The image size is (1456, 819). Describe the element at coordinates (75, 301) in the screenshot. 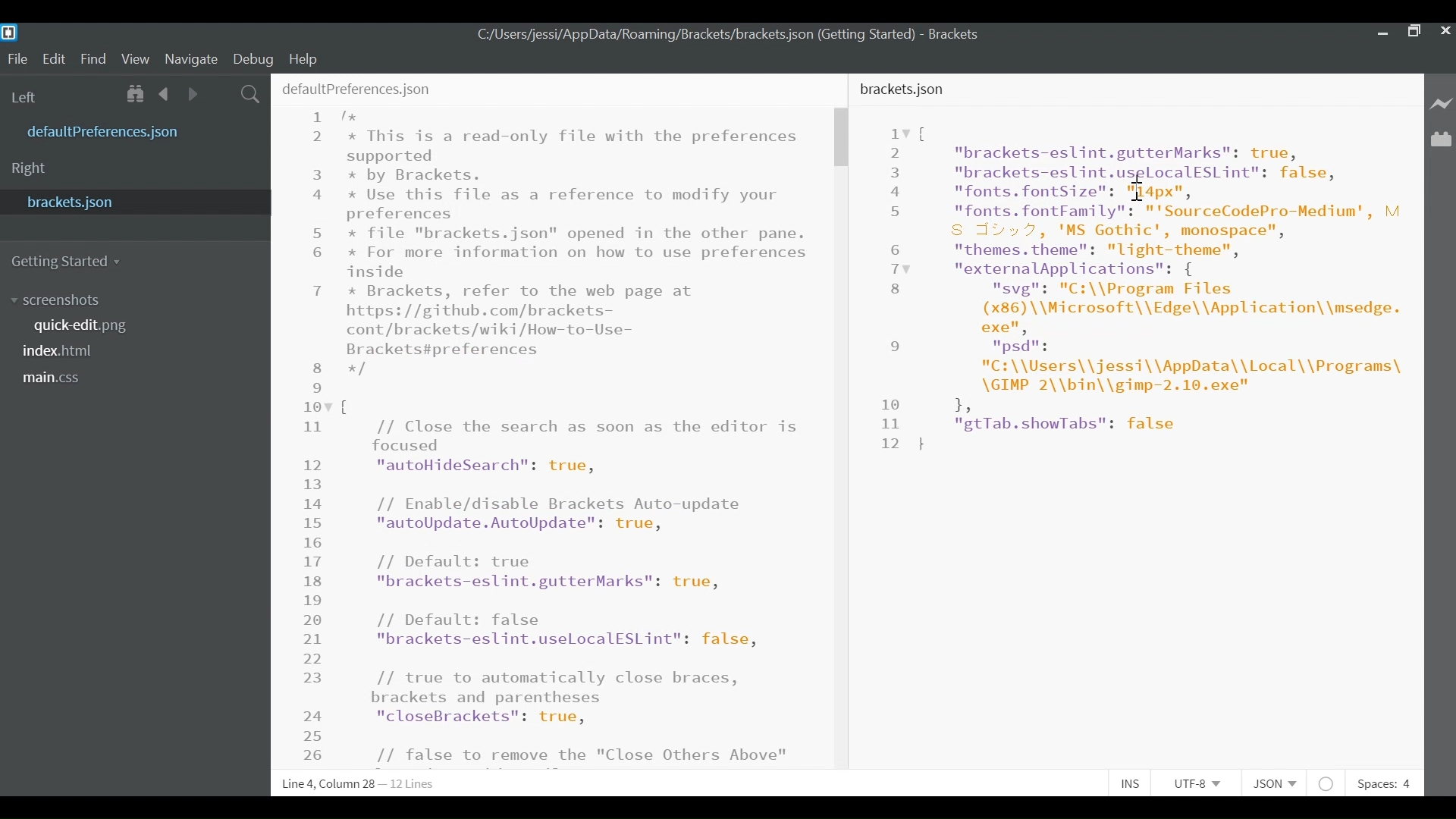

I see `screenshot` at that location.